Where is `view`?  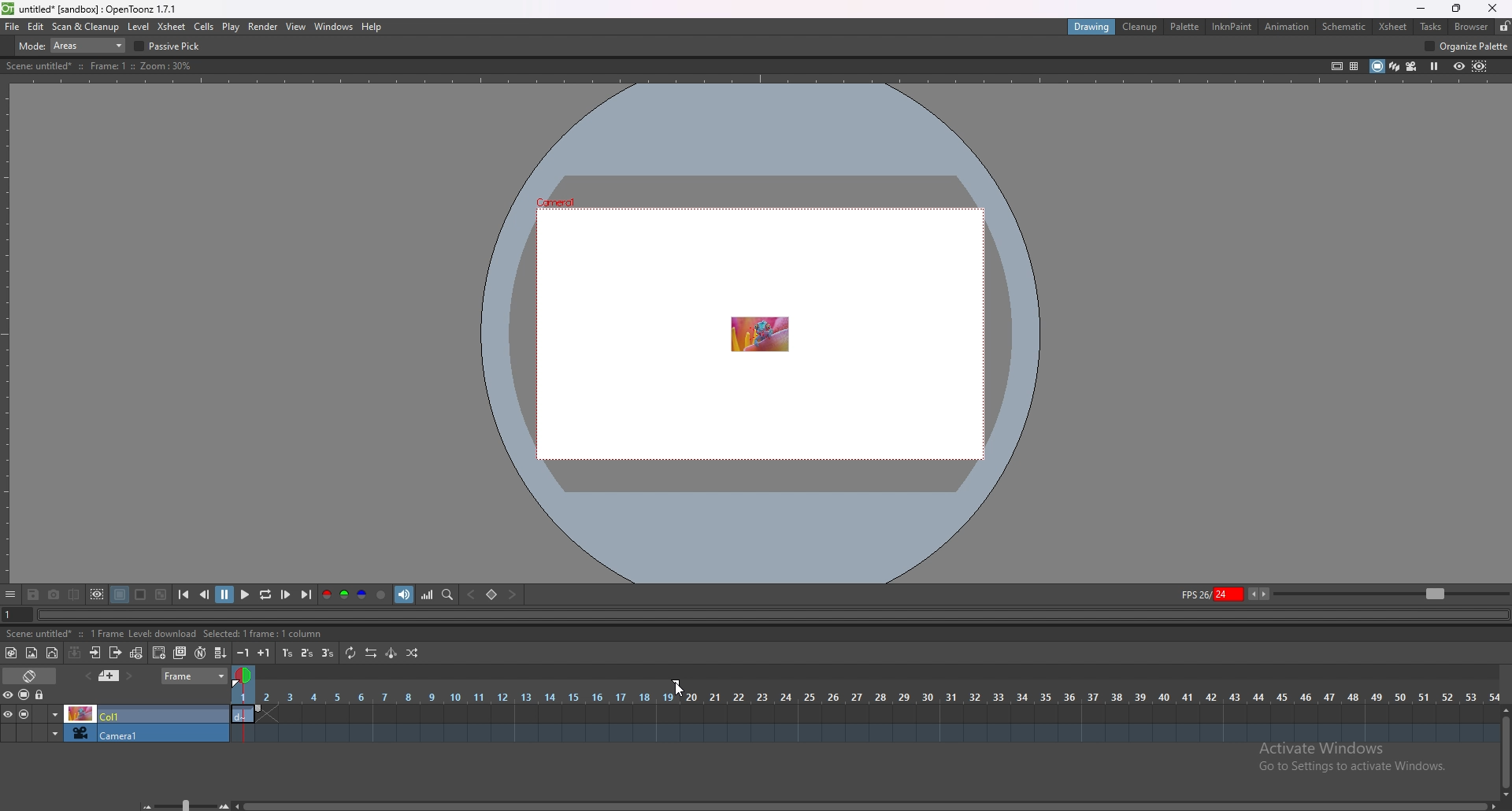
view is located at coordinates (297, 27).